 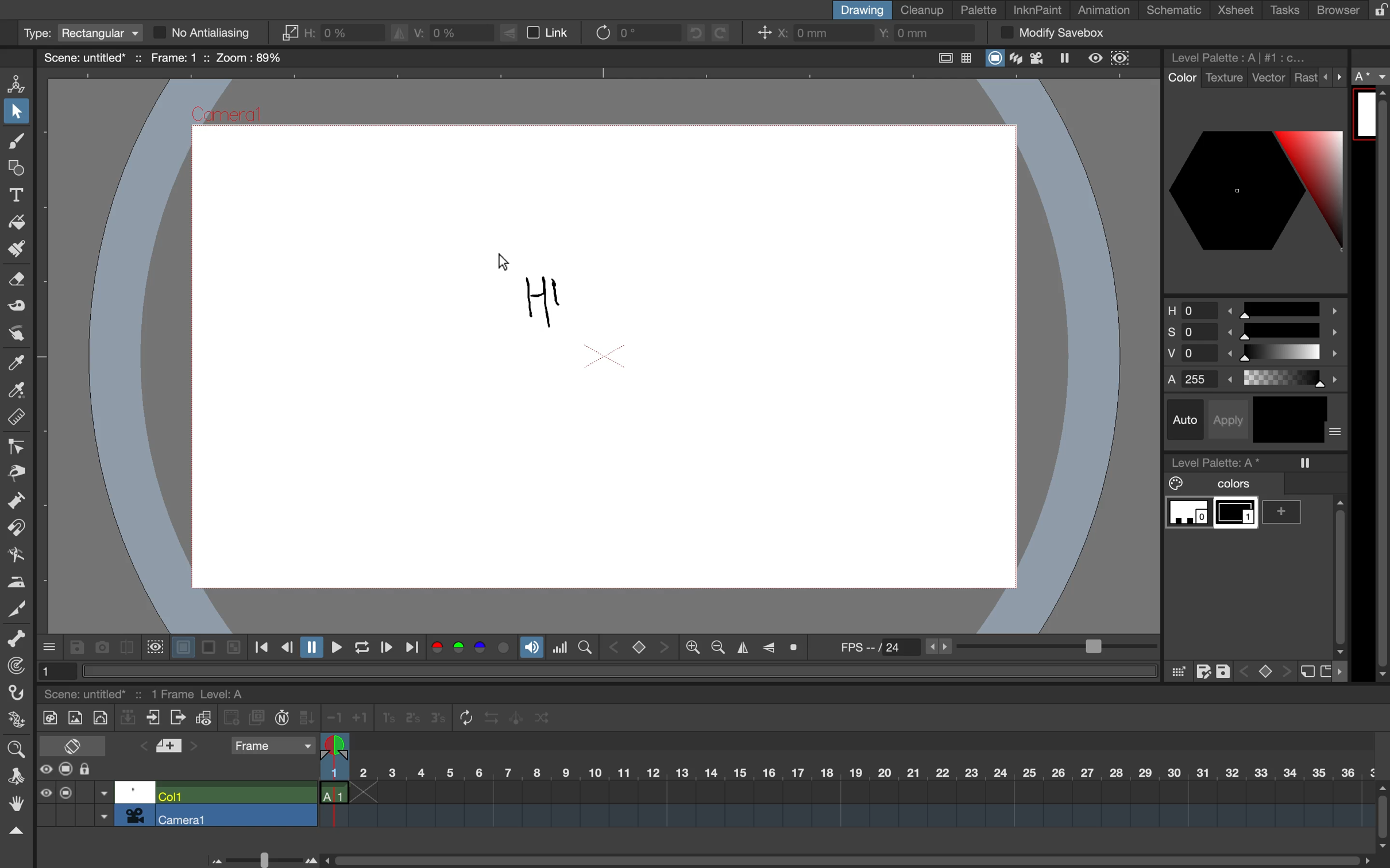 I want to click on type tool, so click(x=17, y=192).